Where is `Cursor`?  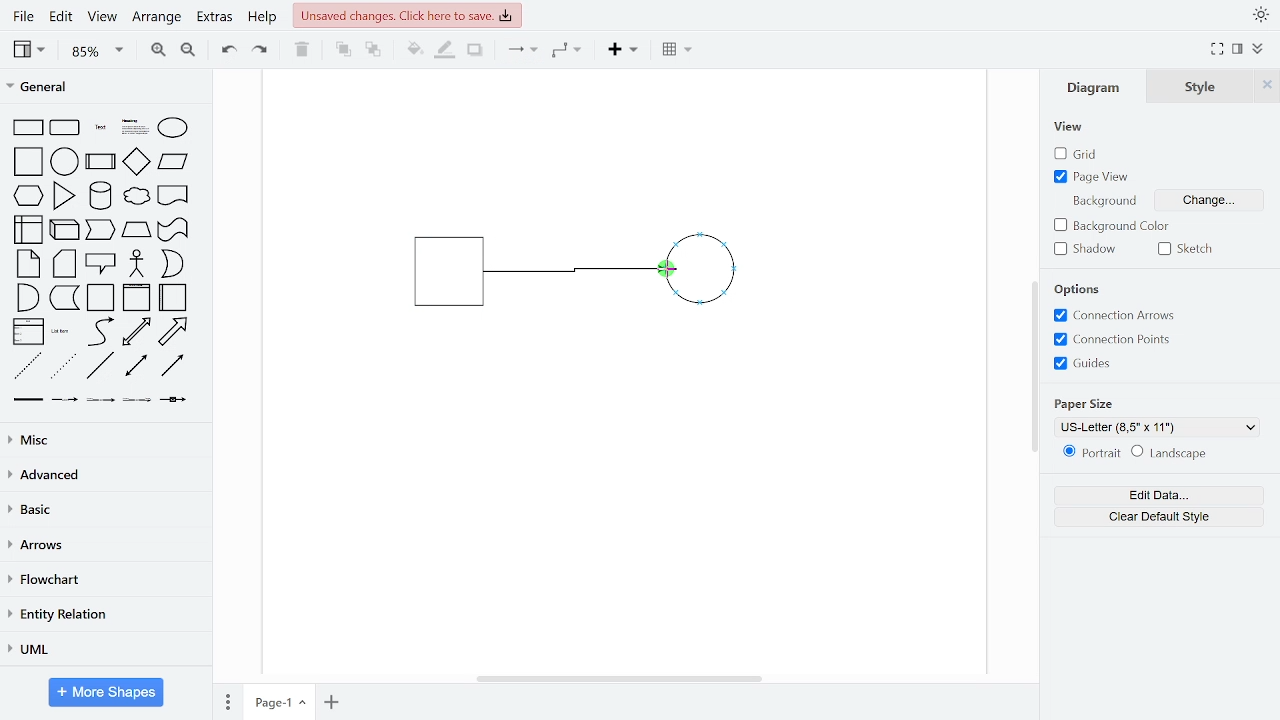 Cursor is located at coordinates (667, 272).